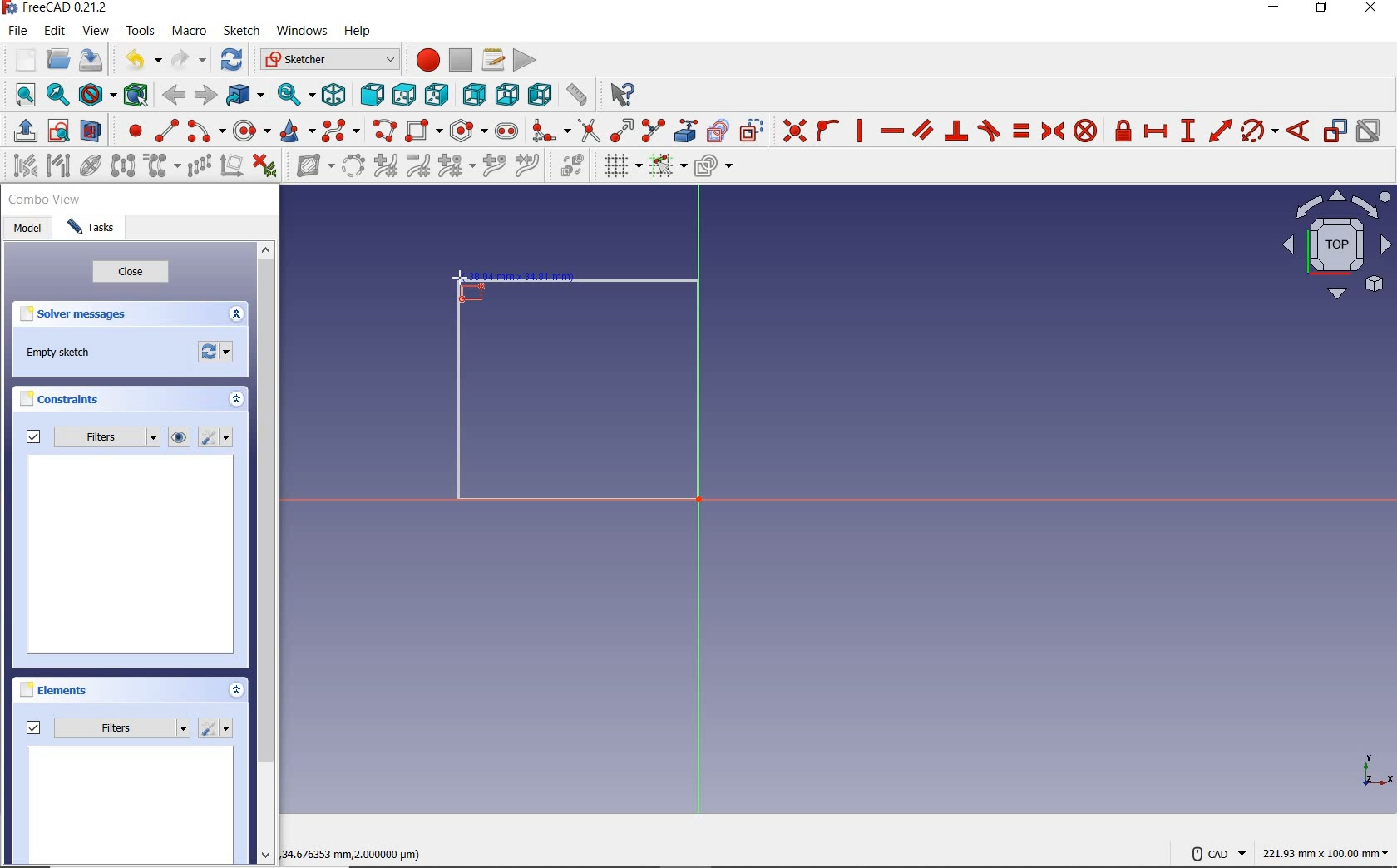 This screenshot has width=1397, height=868. Describe the element at coordinates (131, 274) in the screenshot. I see `close` at that location.